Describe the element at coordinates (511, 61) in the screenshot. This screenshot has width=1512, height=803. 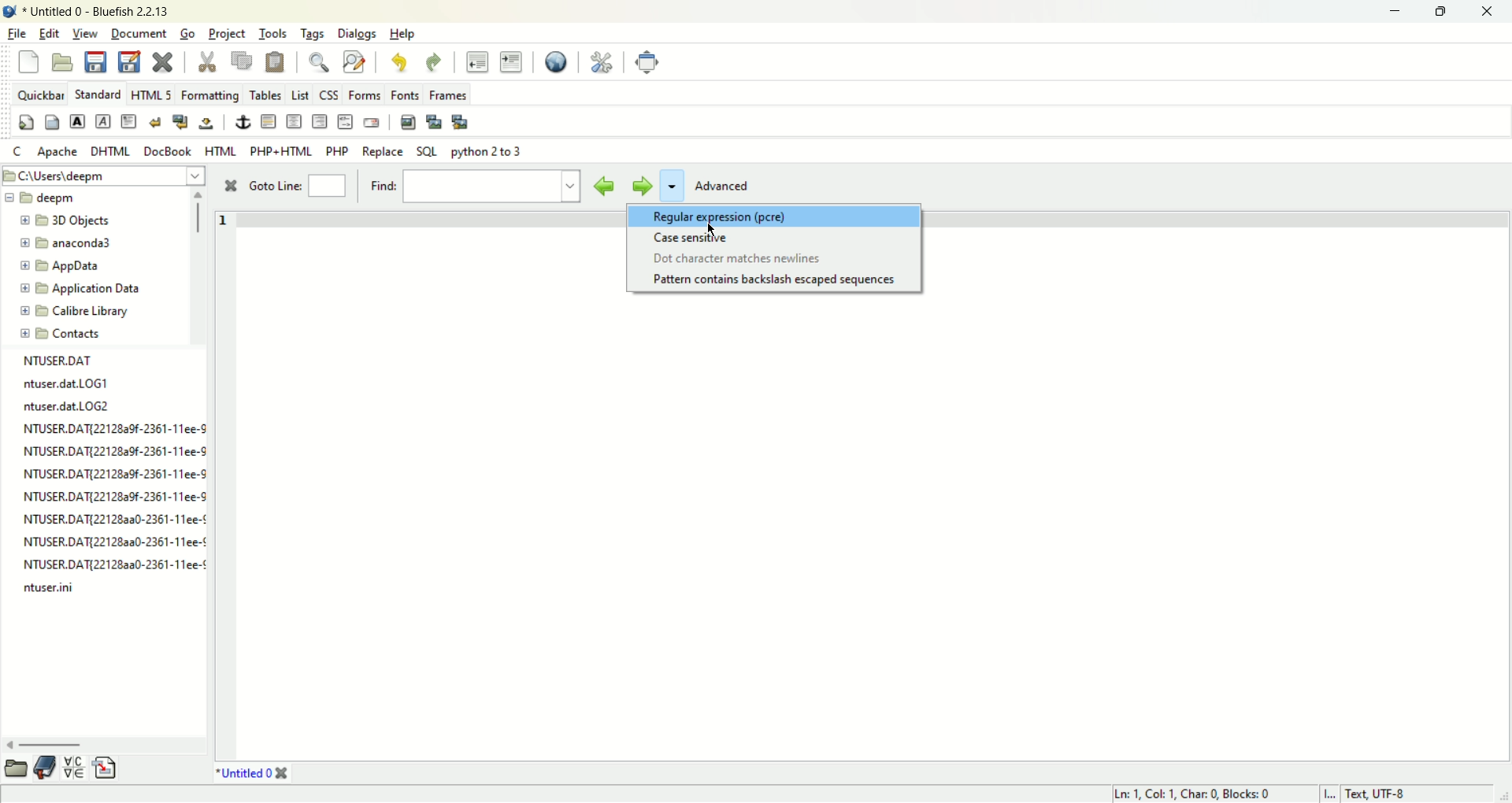
I see `indent` at that location.